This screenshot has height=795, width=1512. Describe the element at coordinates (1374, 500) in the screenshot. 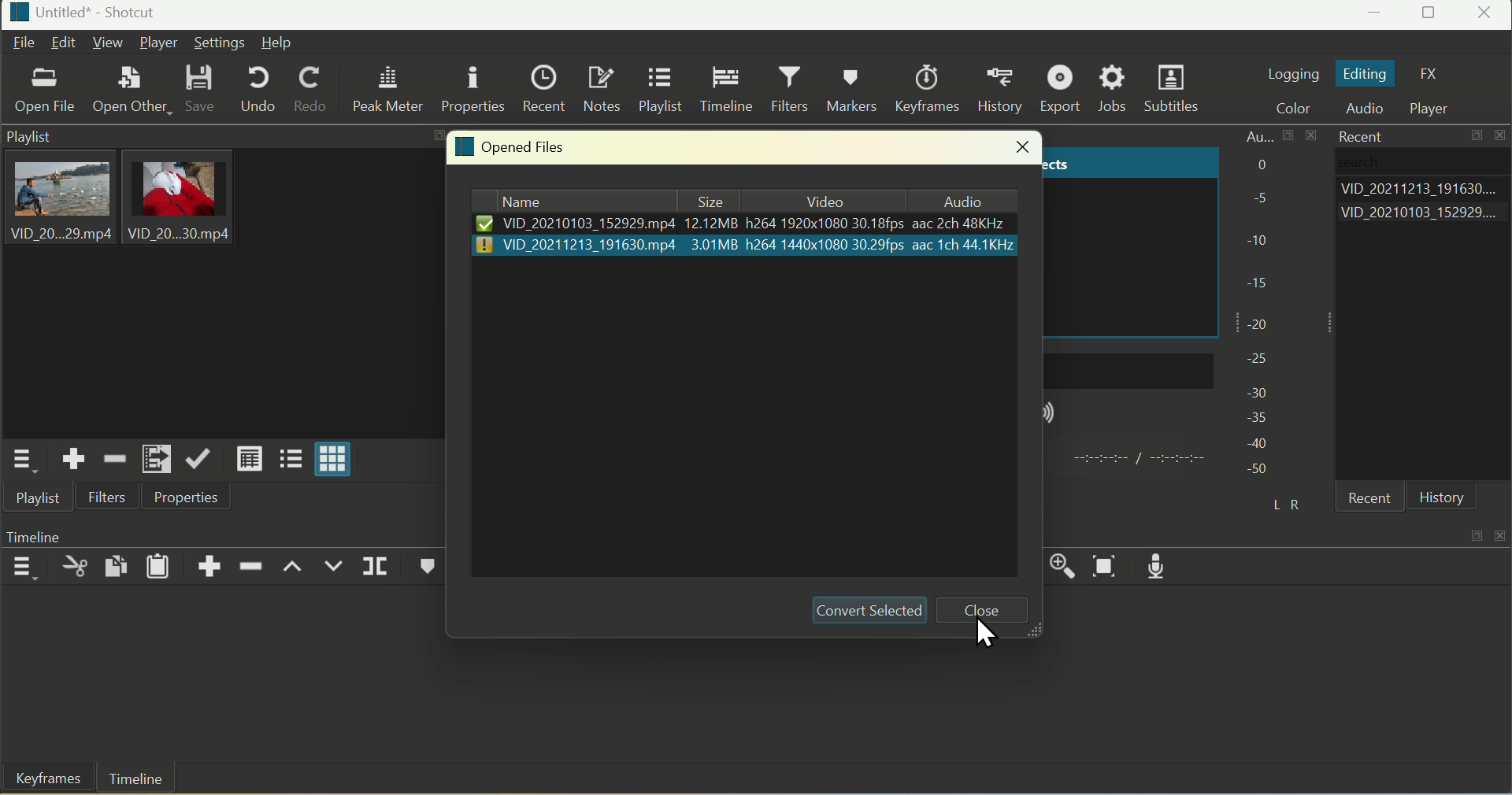

I see `Recent` at that location.